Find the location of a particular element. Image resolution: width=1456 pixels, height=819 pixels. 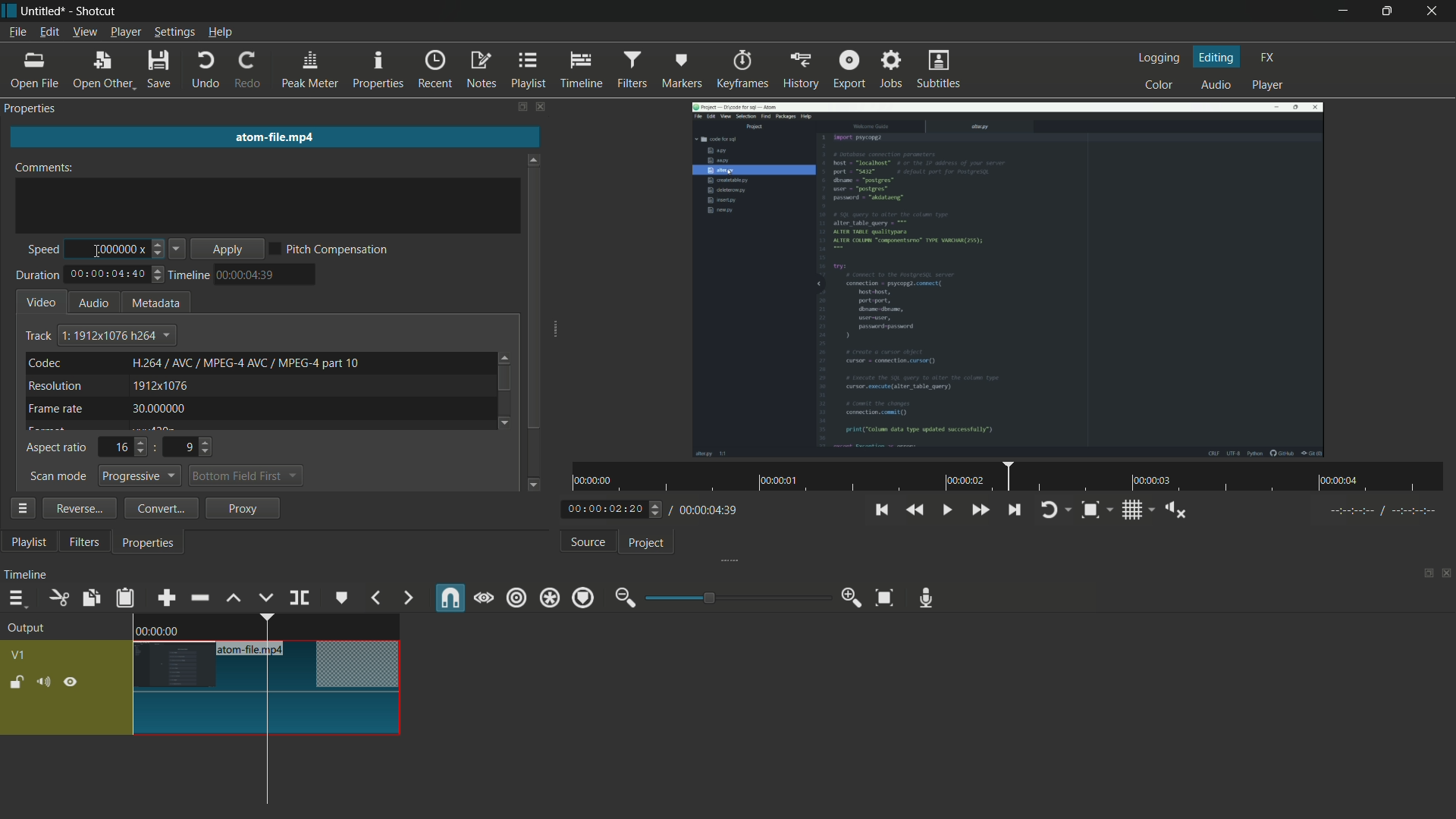

toggle play or pause is located at coordinates (945, 510).